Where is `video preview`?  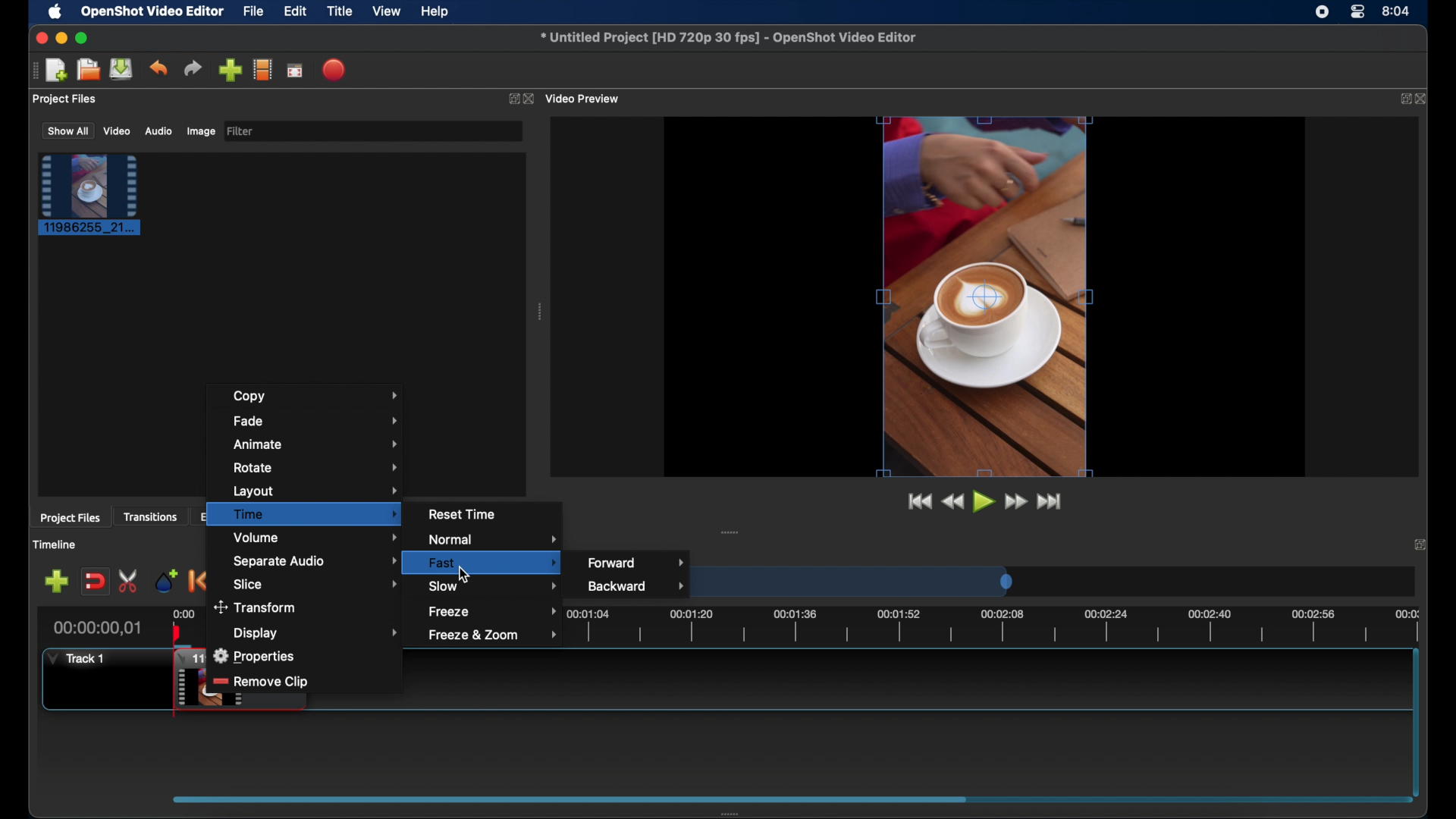 video preview is located at coordinates (585, 98).